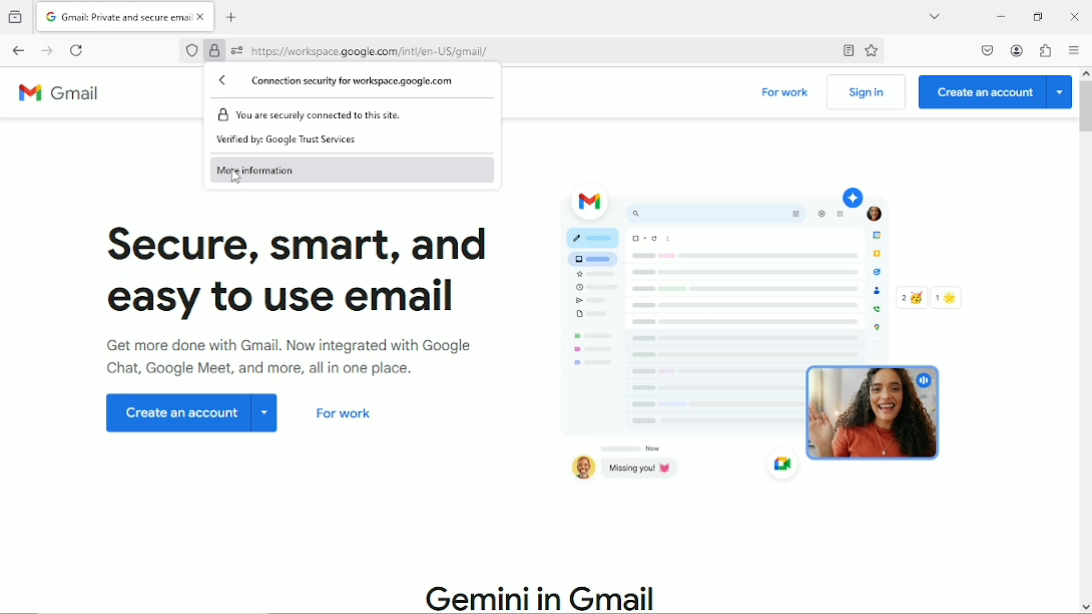  Describe the element at coordinates (1038, 14) in the screenshot. I see `restore down` at that location.